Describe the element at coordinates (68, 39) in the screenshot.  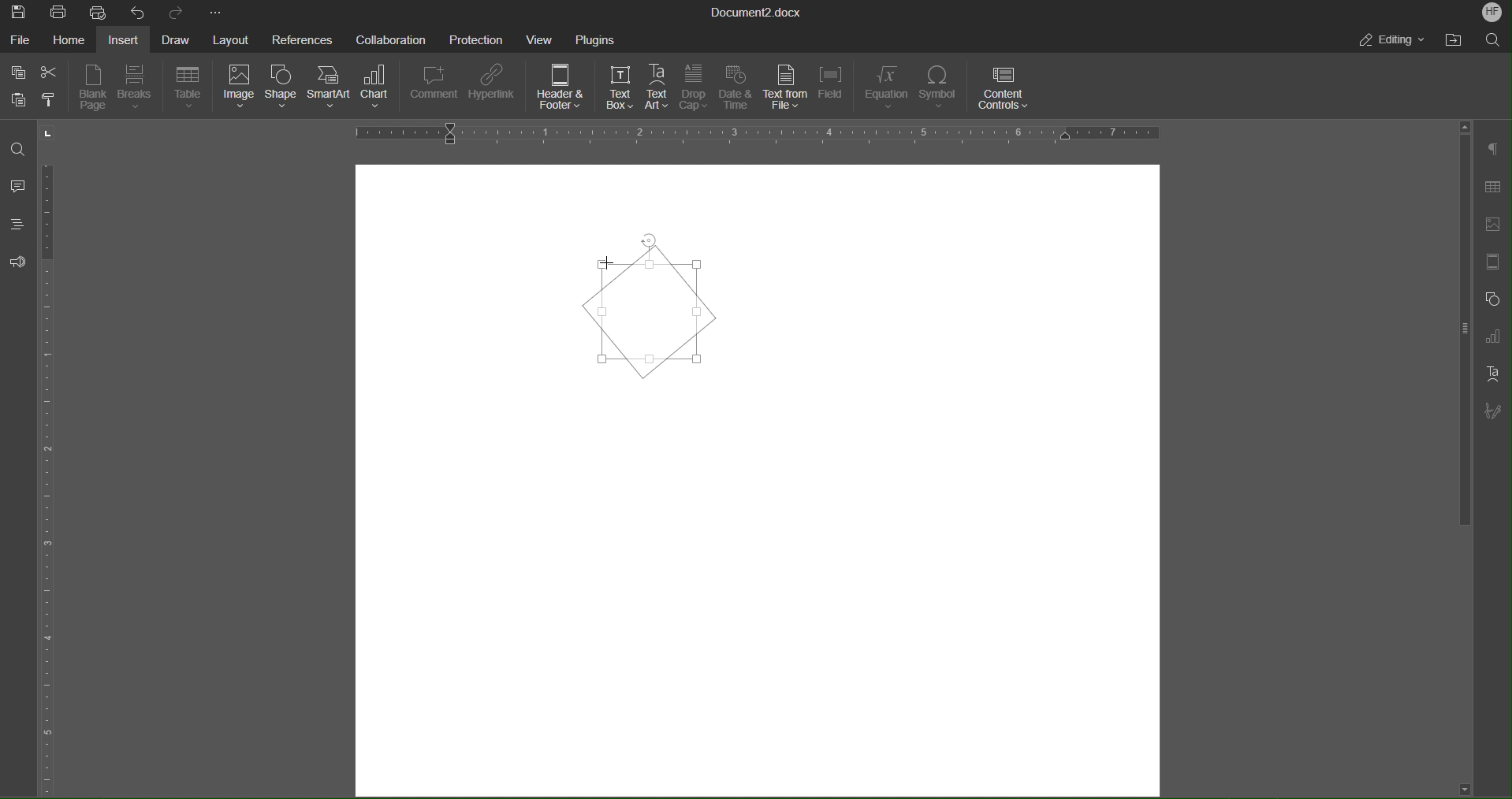
I see `Home` at that location.